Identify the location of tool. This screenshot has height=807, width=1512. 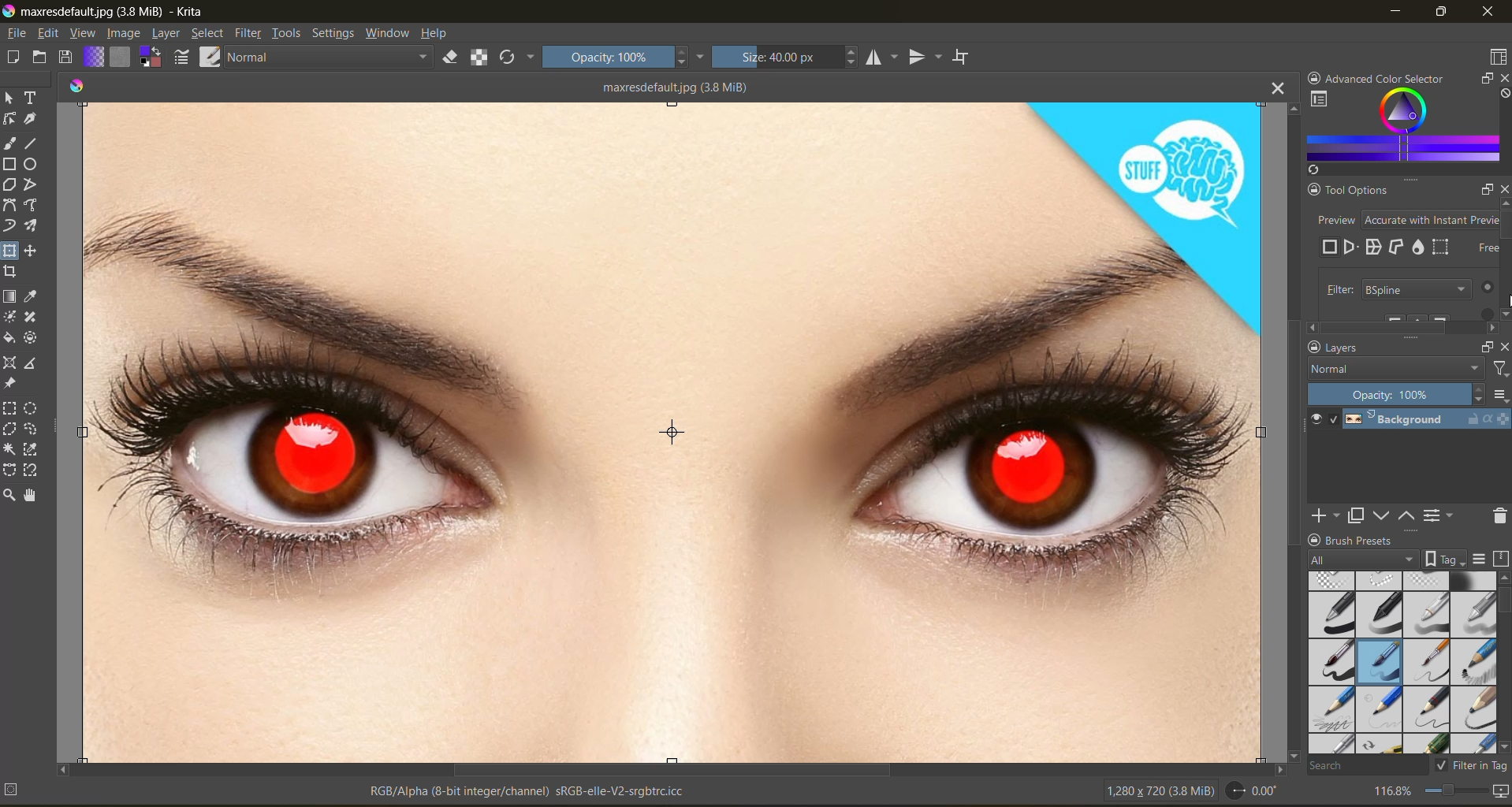
(35, 428).